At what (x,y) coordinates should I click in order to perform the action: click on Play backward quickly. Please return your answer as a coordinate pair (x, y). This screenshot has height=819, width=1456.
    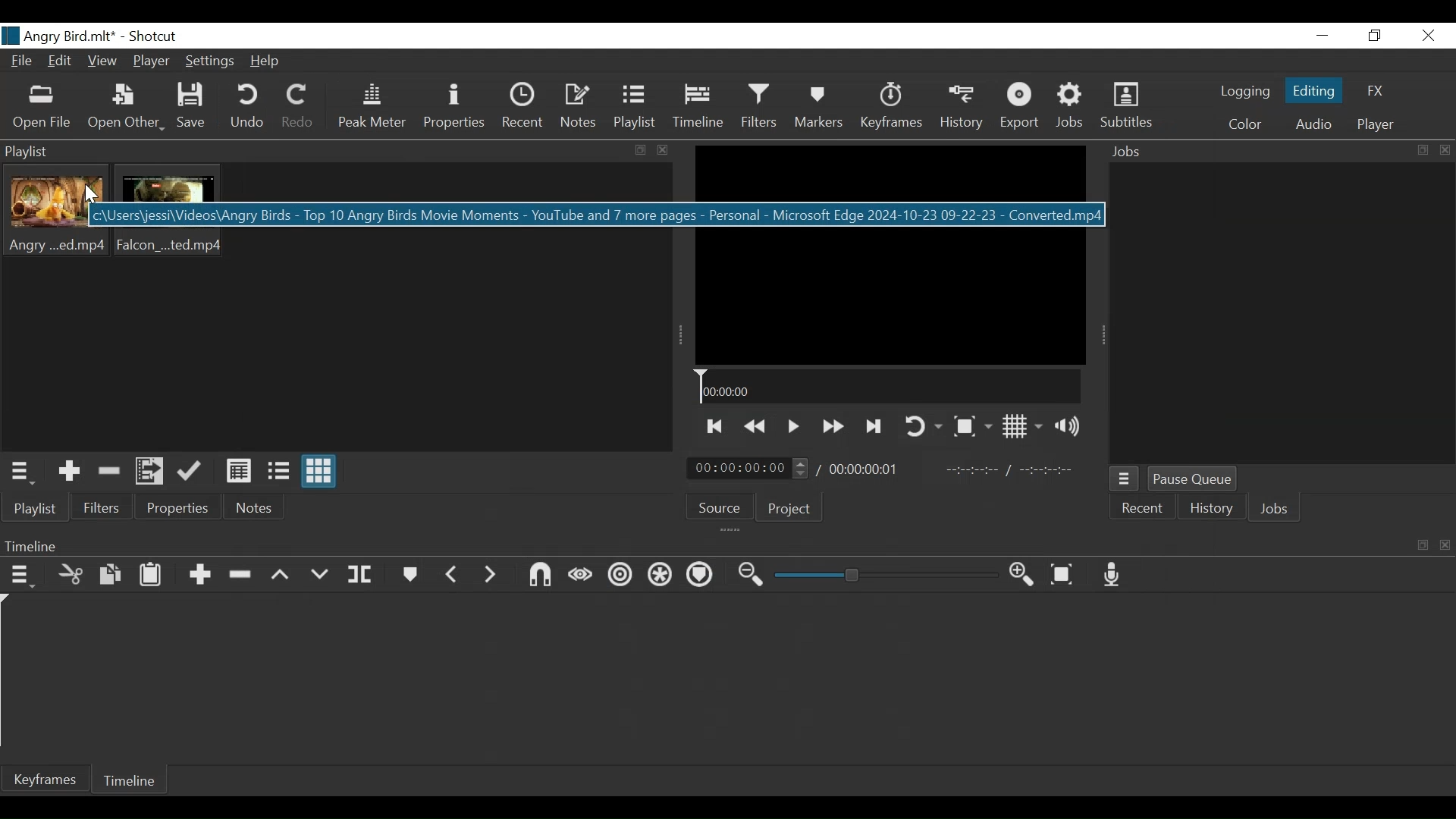
    Looking at the image, I should click on (756, 428).